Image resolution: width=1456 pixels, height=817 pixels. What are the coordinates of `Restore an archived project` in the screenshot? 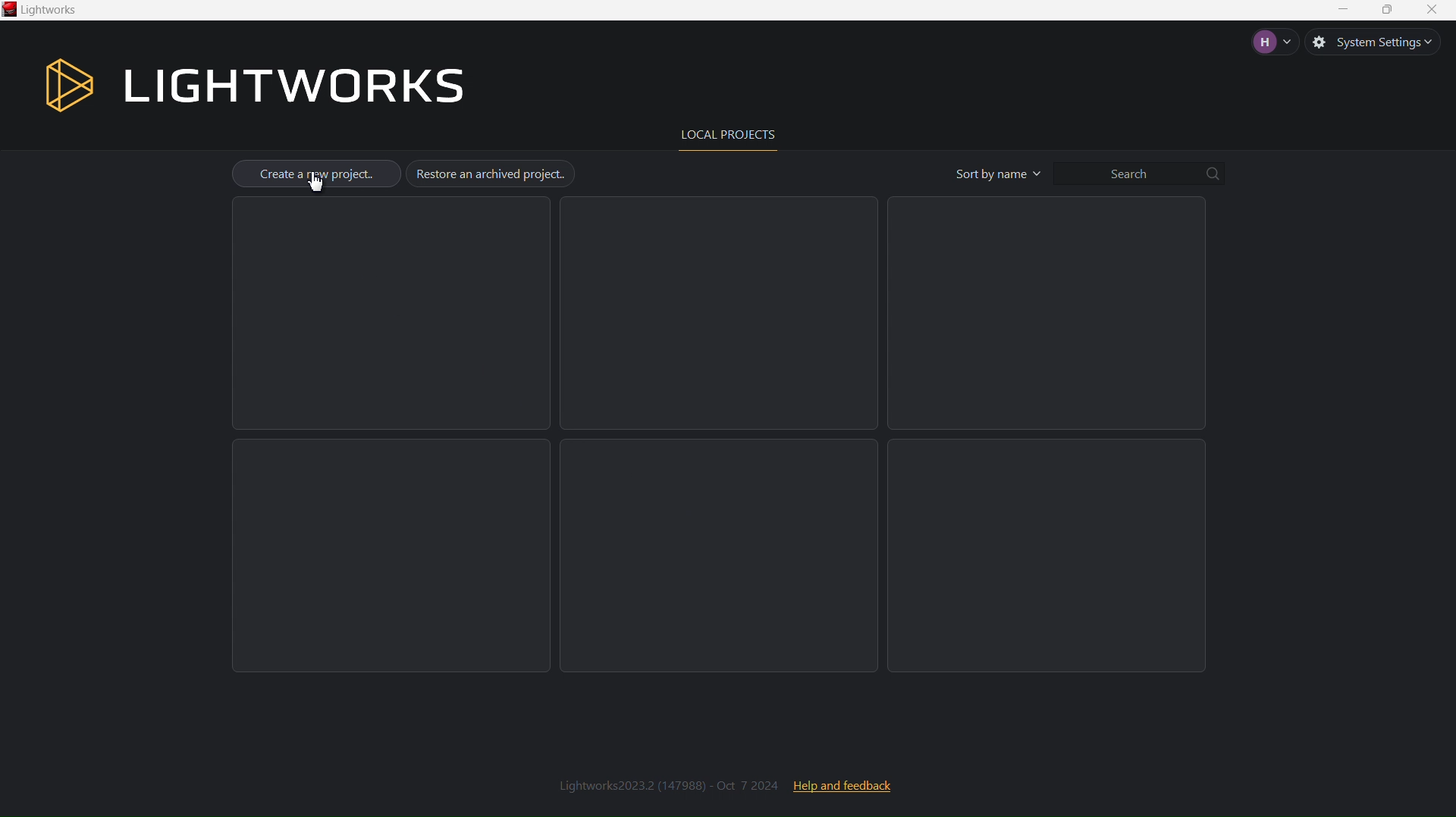 It's located at (489, 174).